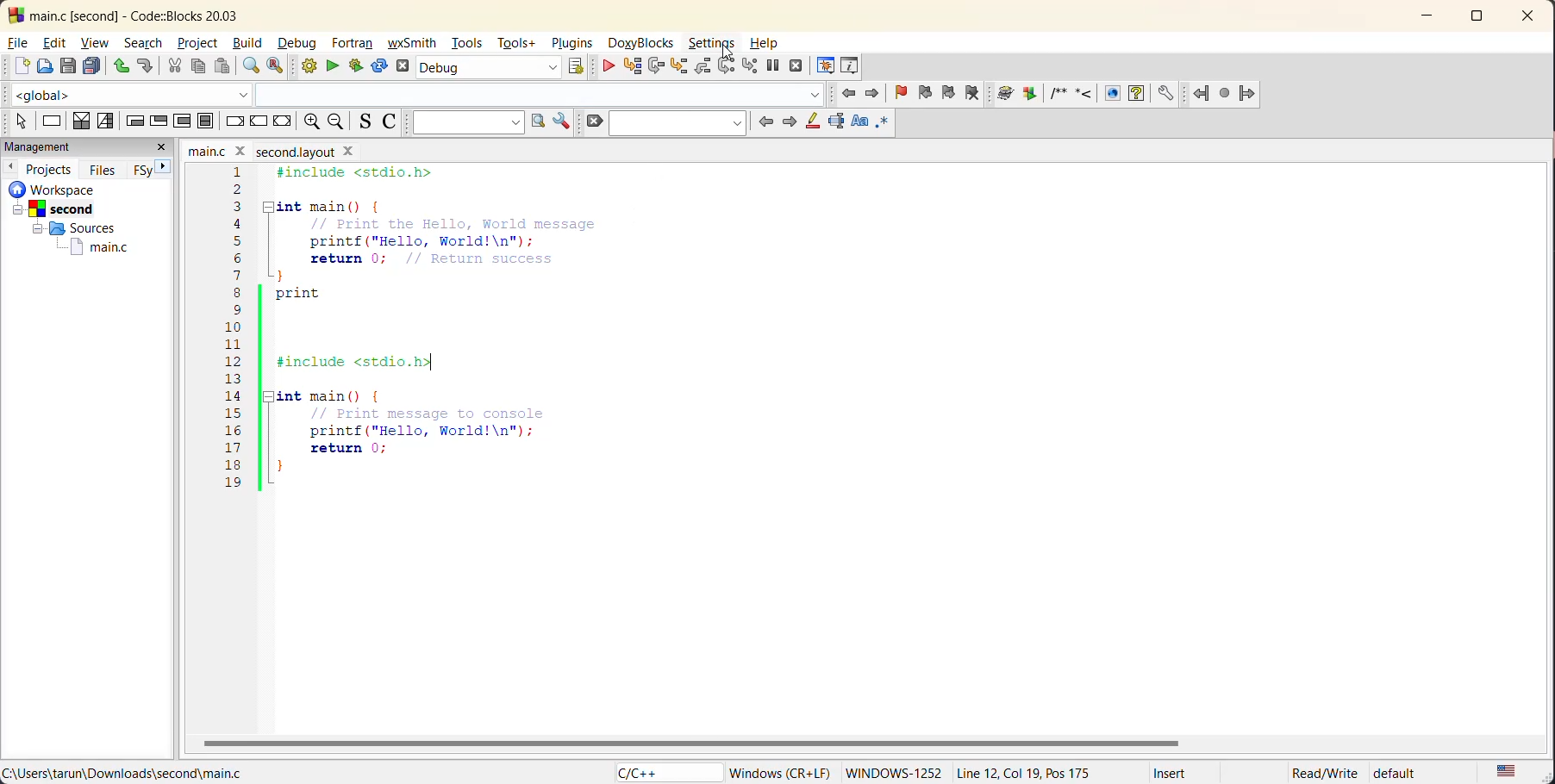  What do you see at coordinates (642, 44) in the screenshot?
I see `doxyblocks` at bounding box center [642, 44].